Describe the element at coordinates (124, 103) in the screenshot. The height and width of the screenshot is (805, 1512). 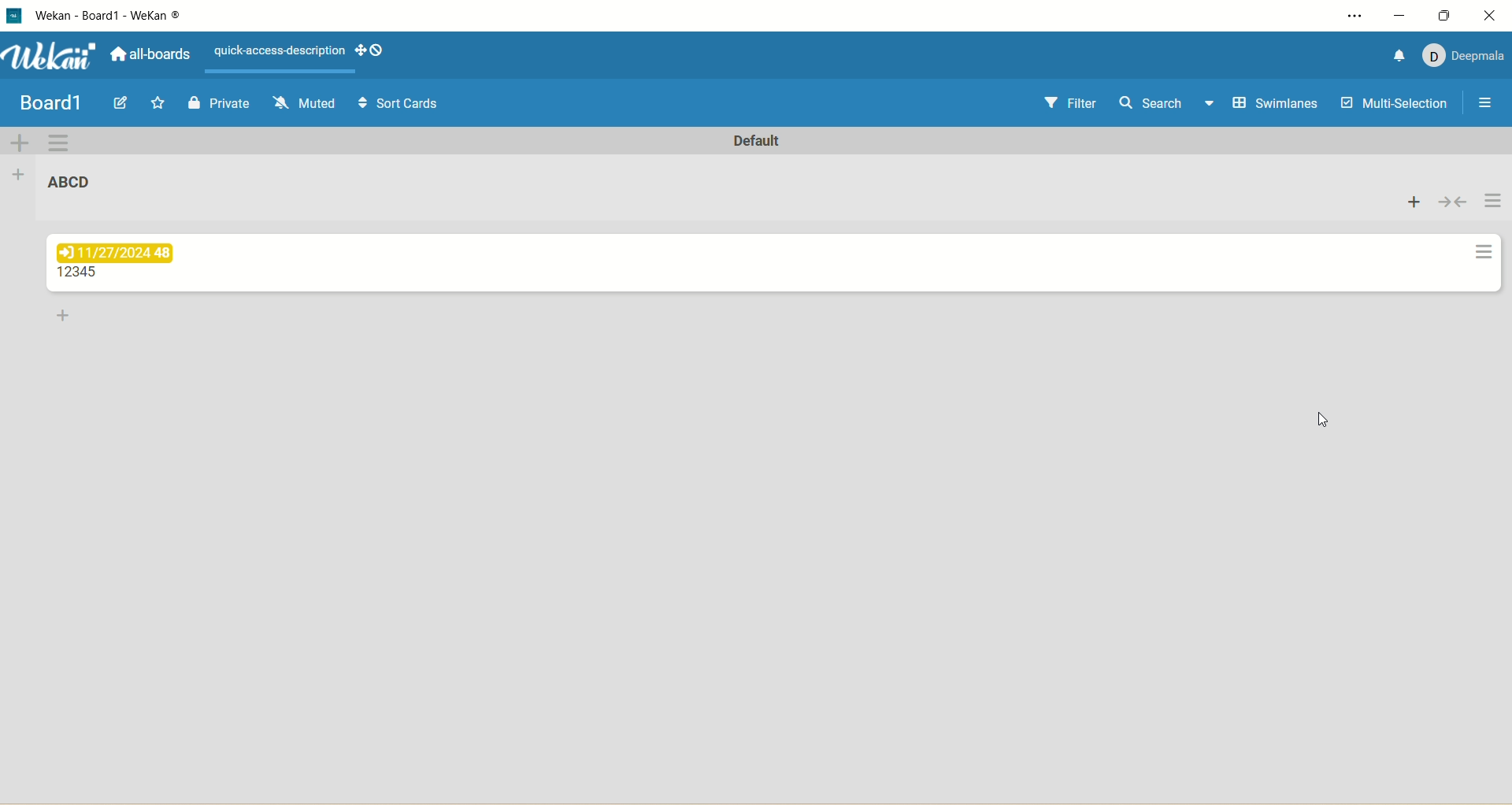
I see `edit` at that location.